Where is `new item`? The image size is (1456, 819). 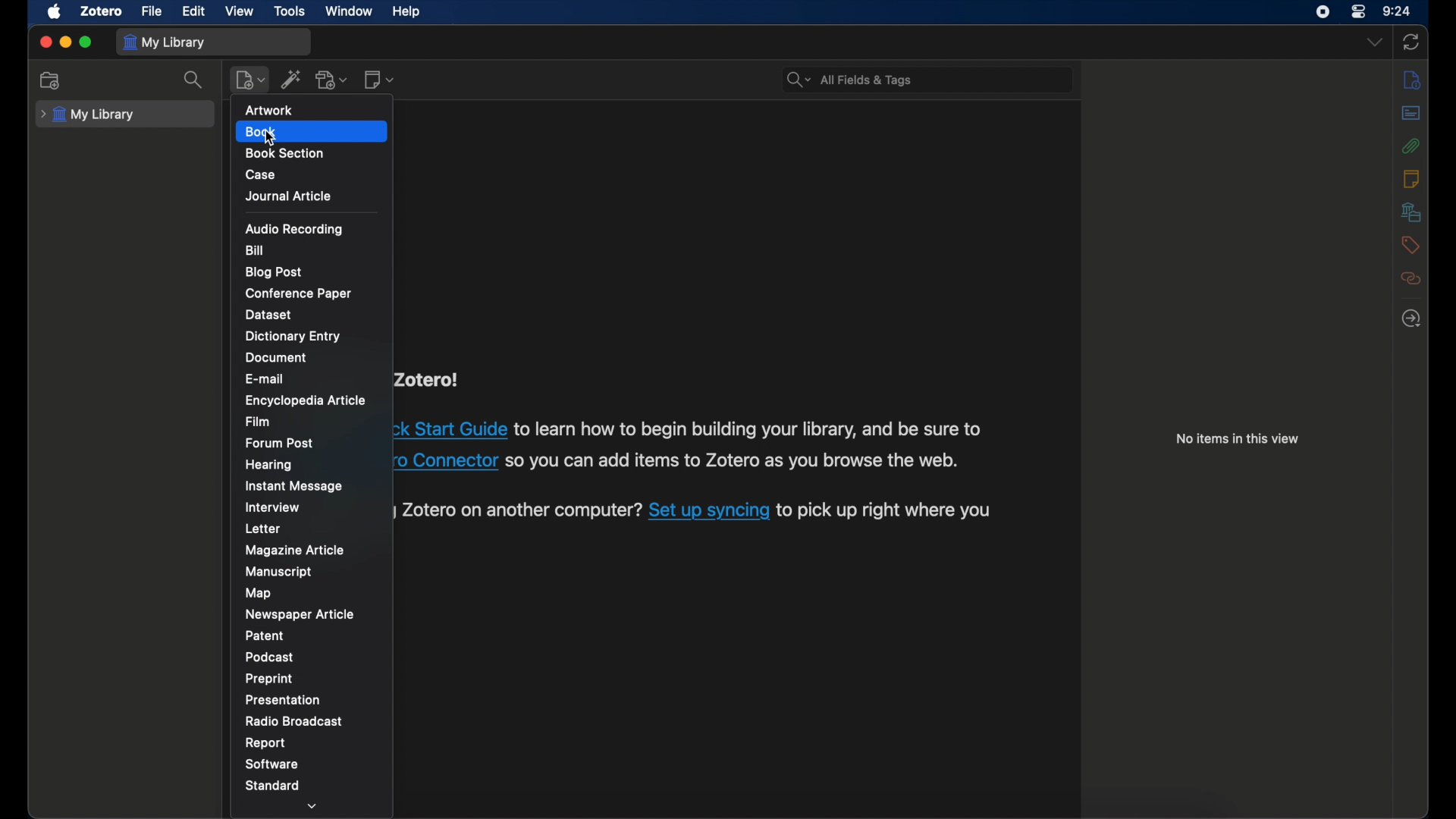
new item is located at coordinates (250, 81).